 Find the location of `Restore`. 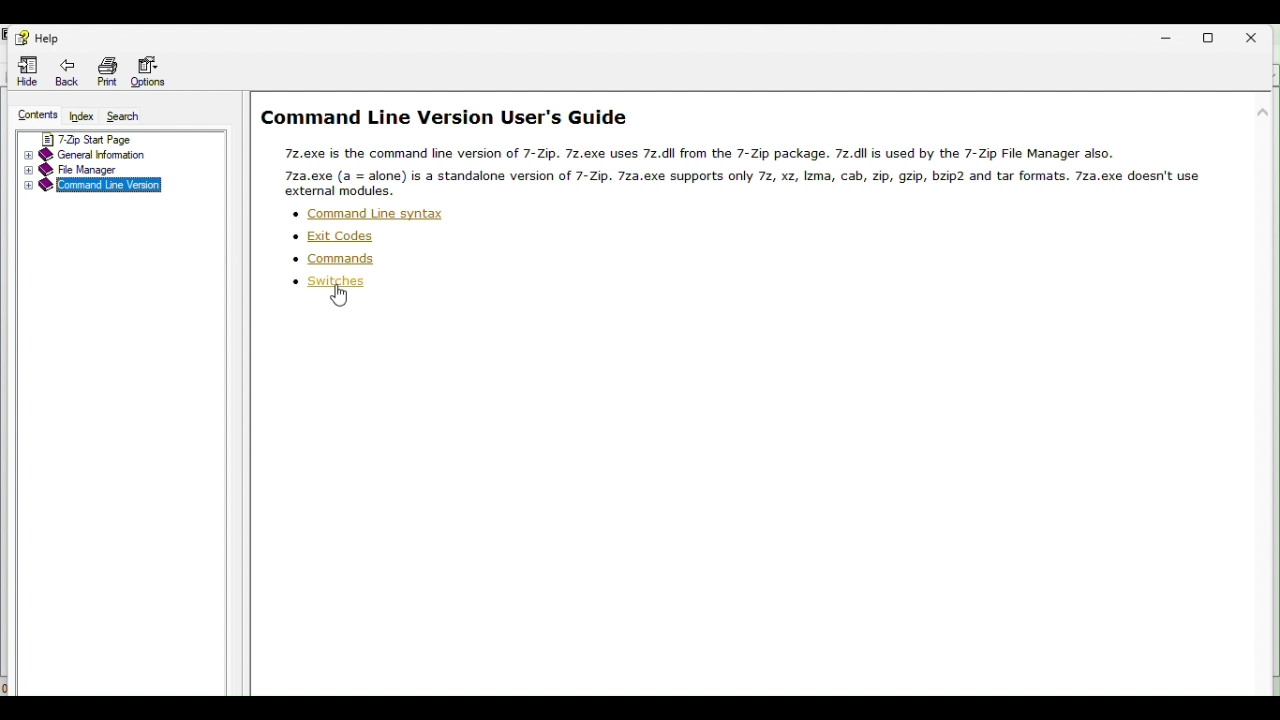

Restore is located at coordinates (1215, 35).